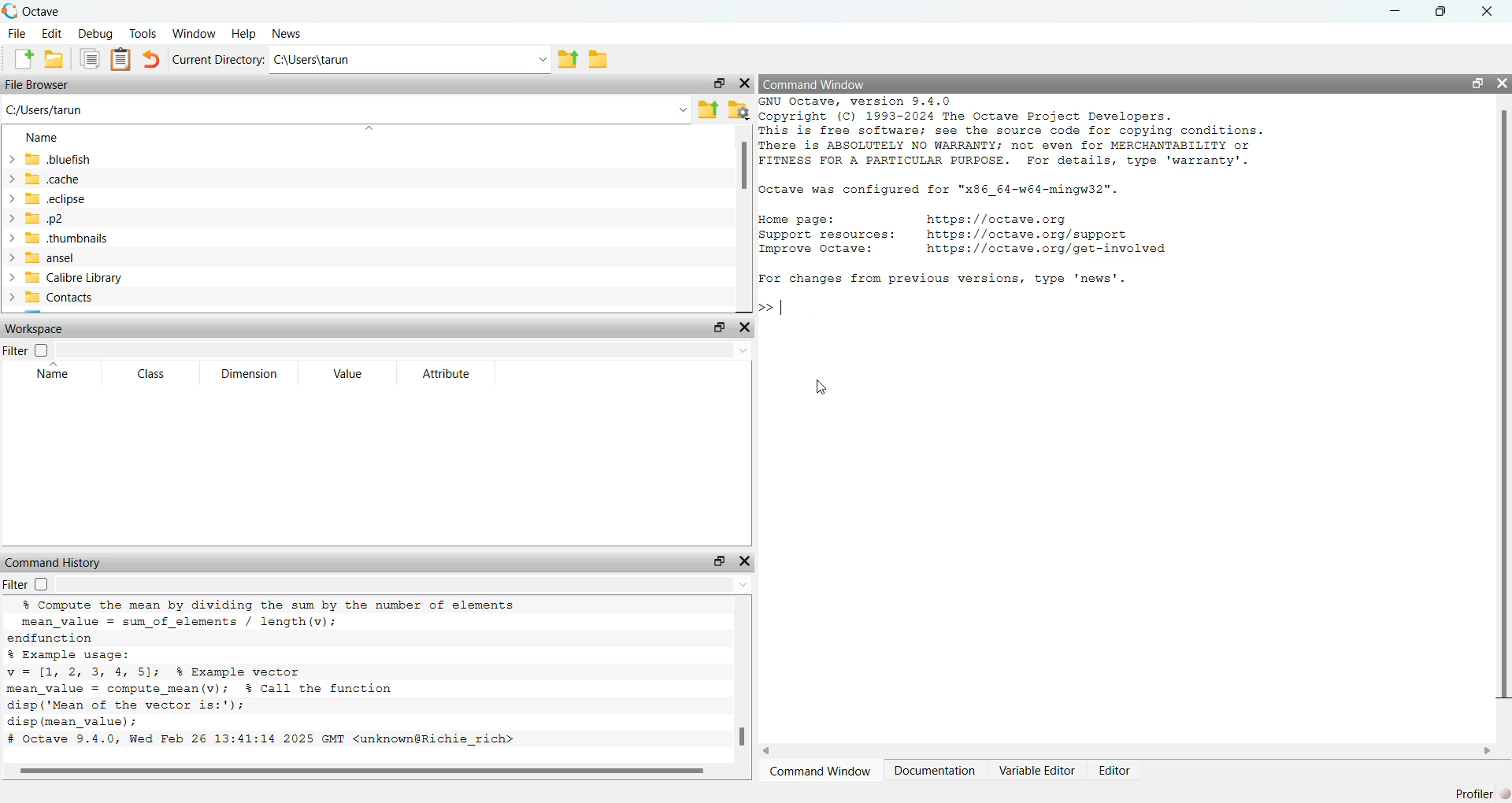 Image resolution: width=1512 pixels, height=803 pixels. What do you see at coordinates (1478, 83) in the screenshot?
I see `open in separate window` at bounding box center [1478, 83].